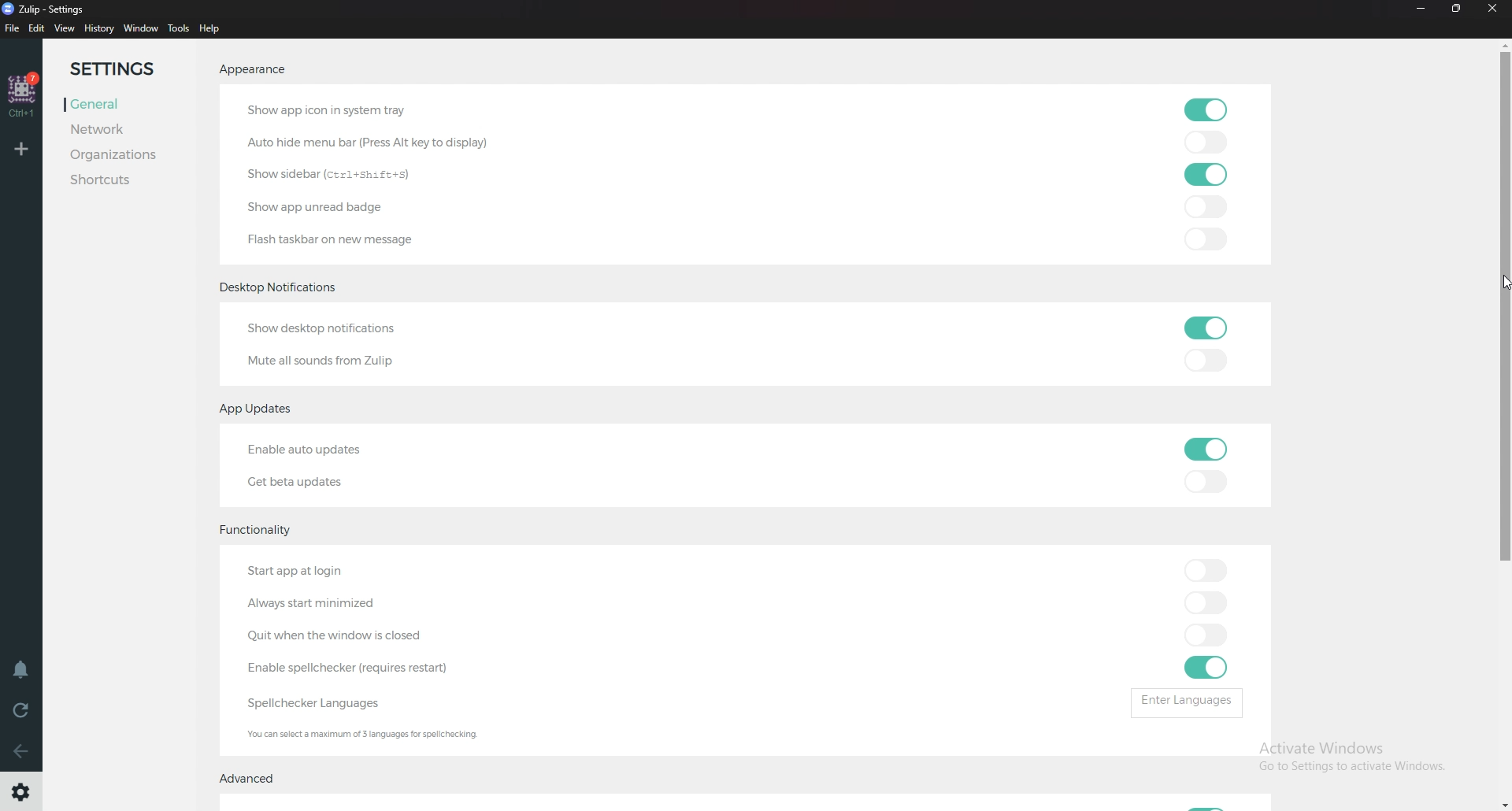 Image resolution: width=1512 pixels, height=811 pixels. Describe the element at coordinates (324, 701) in the screenshot. I see `Spell checker languages` at that location.